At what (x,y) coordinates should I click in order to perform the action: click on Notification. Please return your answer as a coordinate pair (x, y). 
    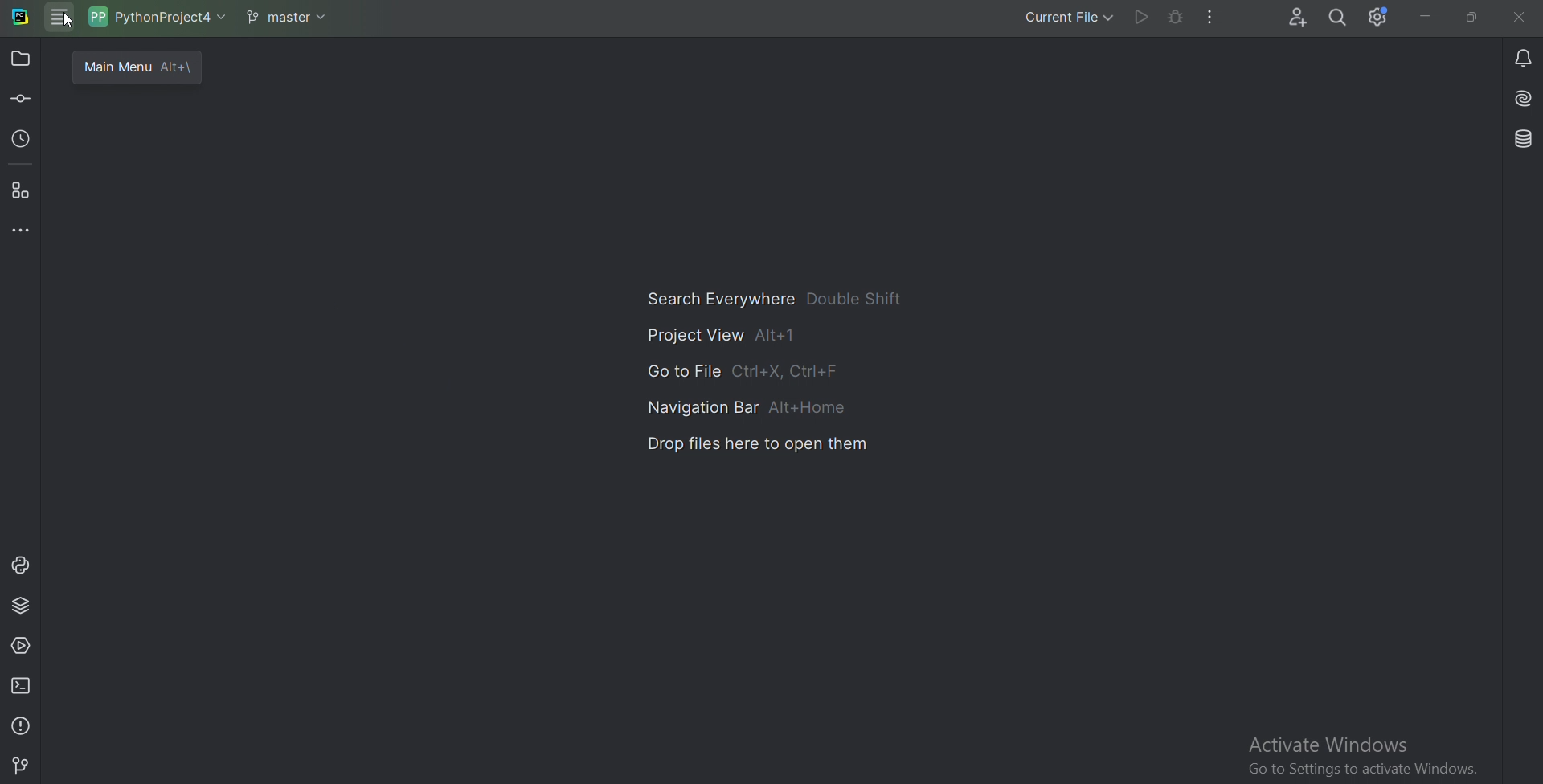
    Looking at the image, I should click on (1520, 57).